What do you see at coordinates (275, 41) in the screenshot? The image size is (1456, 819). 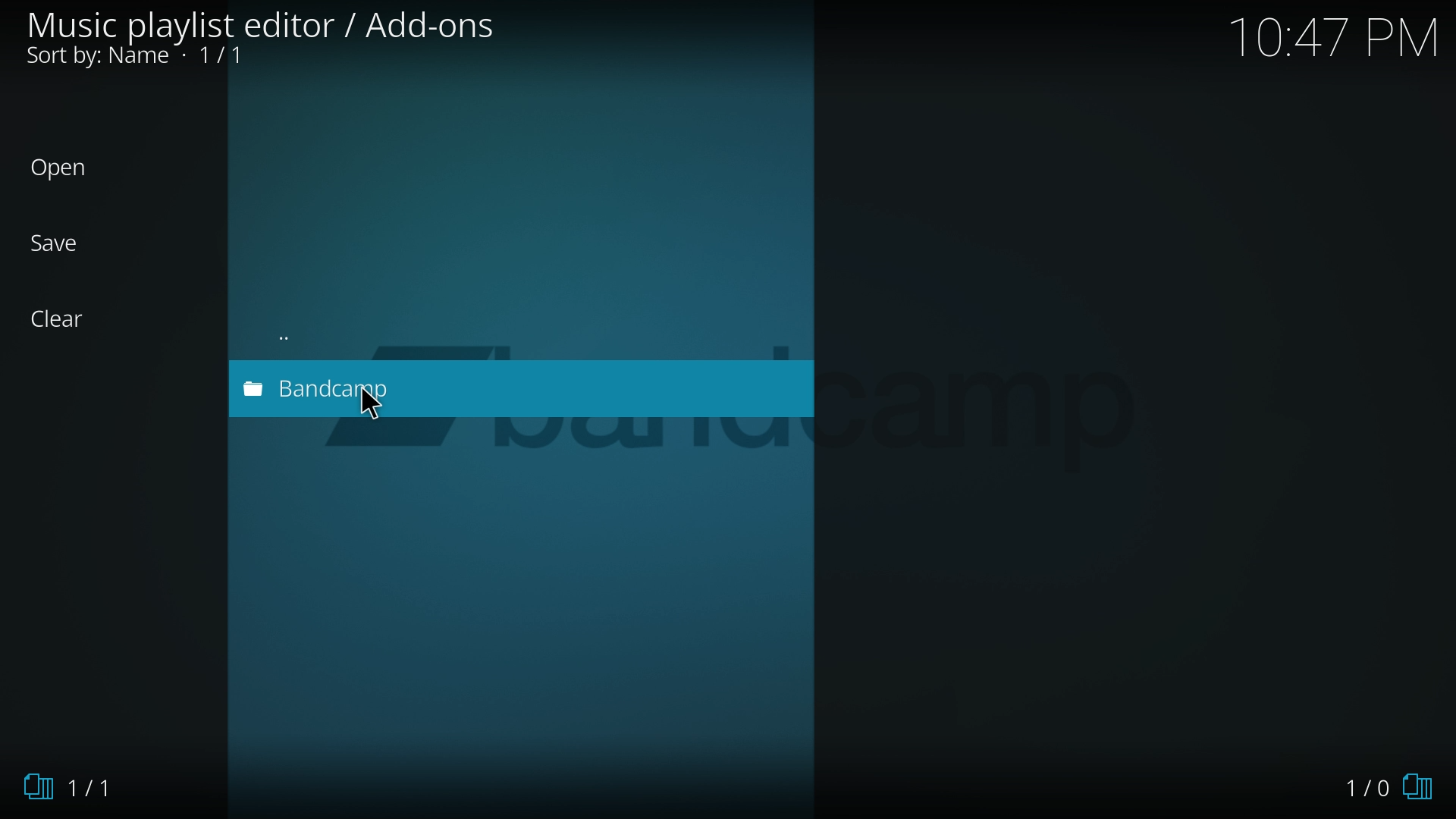 I see `Music playlist editor/Add-ons` at bounding box center [275, 41].